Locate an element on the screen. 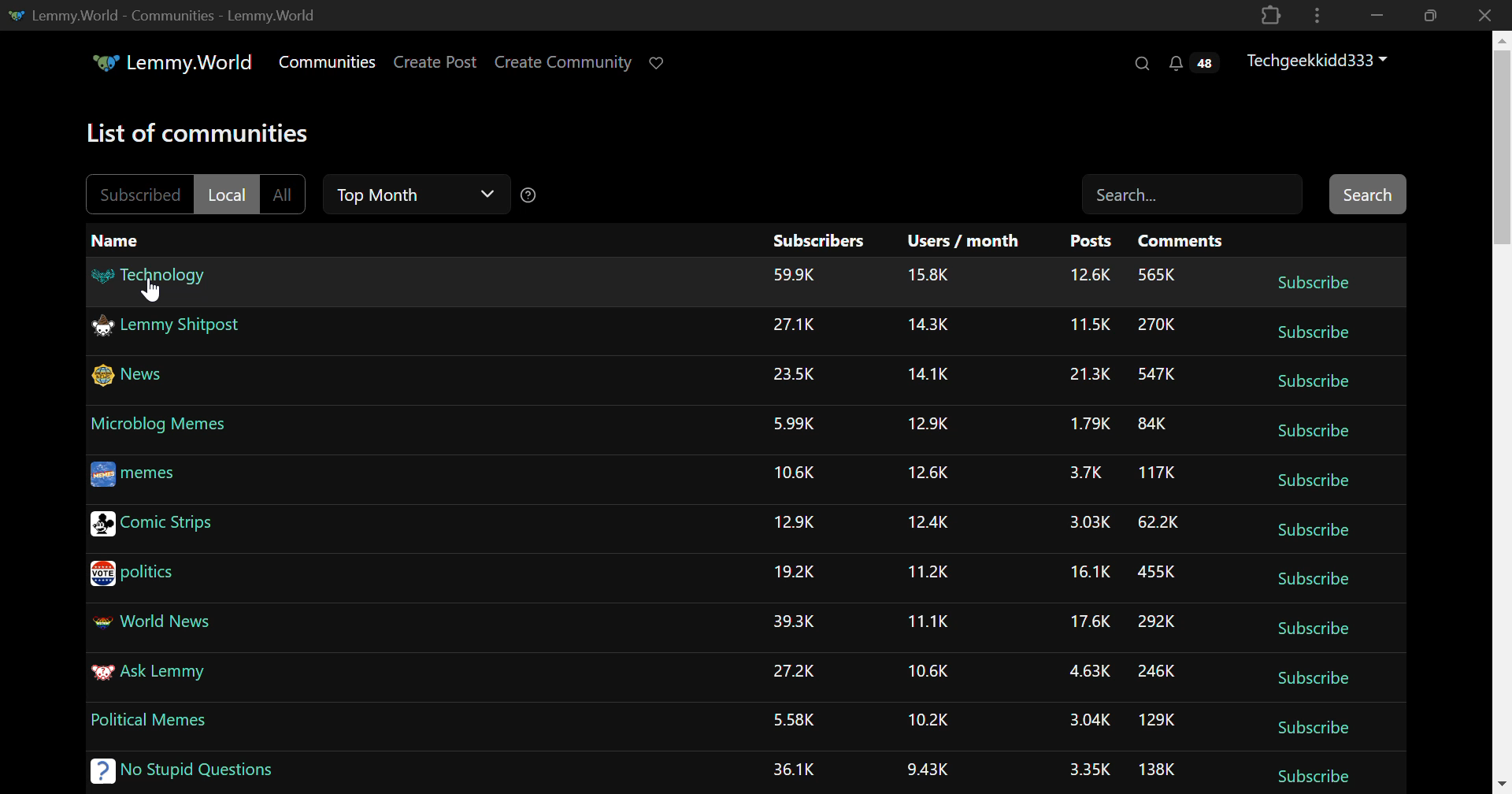 Image resolution: width=1512 pixels, height=794 pixels. 12.4K is located at coordinates (928, 525).